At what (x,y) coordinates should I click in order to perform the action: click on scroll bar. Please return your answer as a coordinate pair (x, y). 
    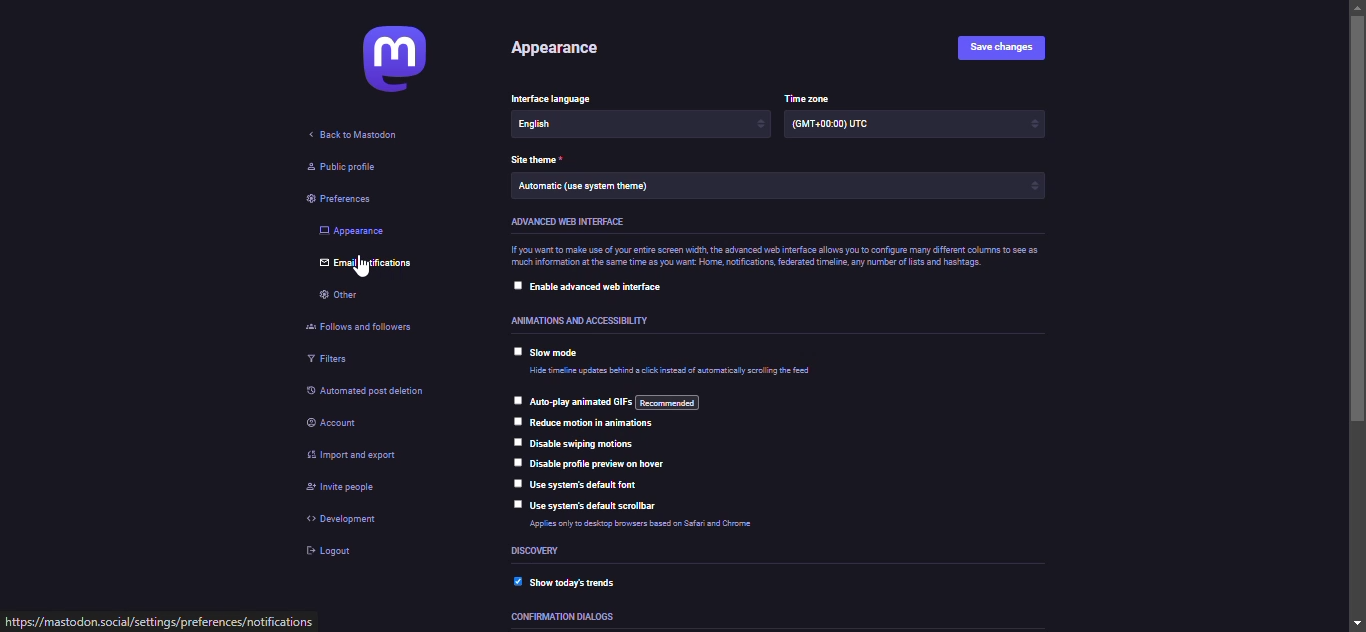
    Looking at the image, I should click on (1359, 317).